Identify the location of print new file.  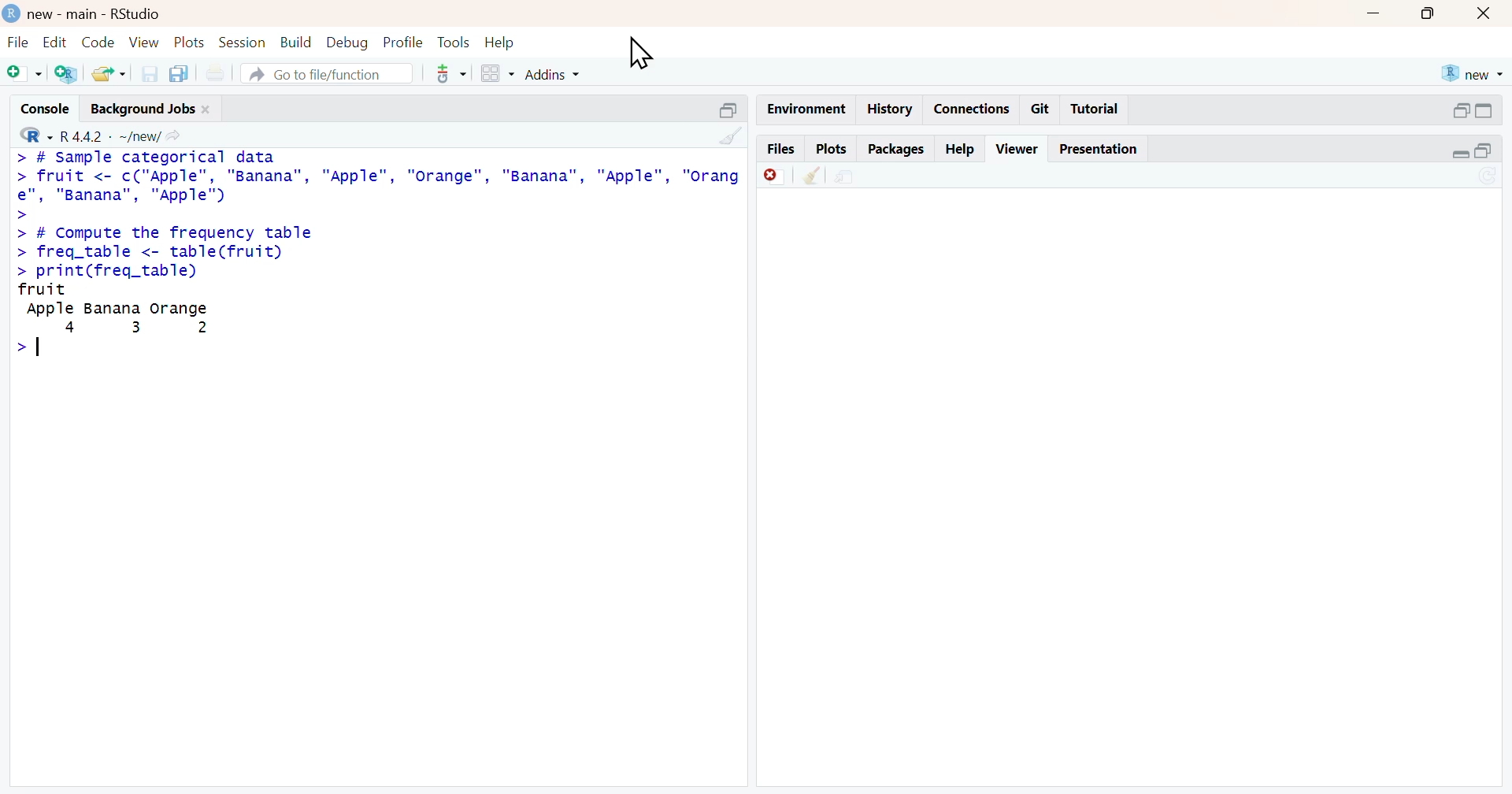
(217, 75).